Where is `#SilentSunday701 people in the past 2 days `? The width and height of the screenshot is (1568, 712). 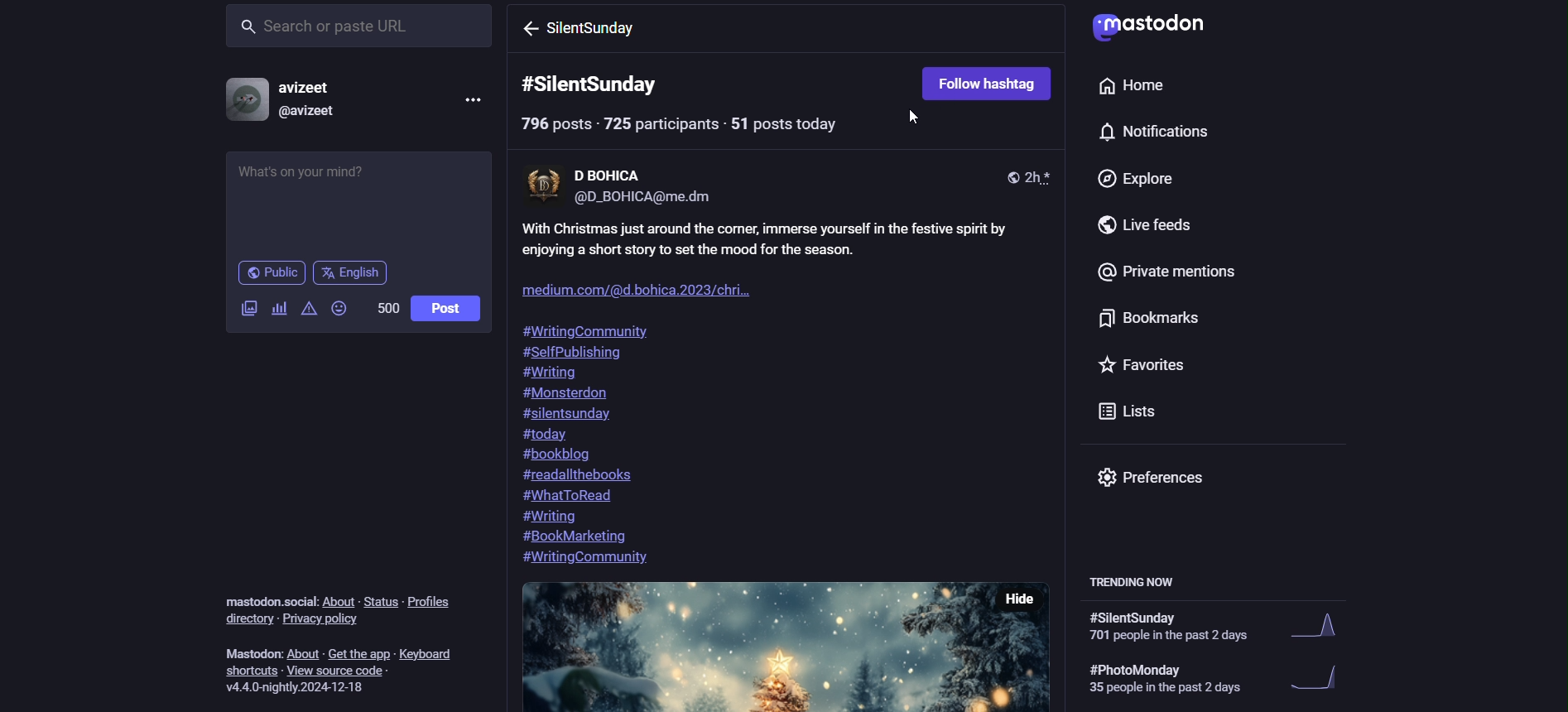
#SilentSunday701 people in the past 2 days  is located at coordinates (1229, 629).